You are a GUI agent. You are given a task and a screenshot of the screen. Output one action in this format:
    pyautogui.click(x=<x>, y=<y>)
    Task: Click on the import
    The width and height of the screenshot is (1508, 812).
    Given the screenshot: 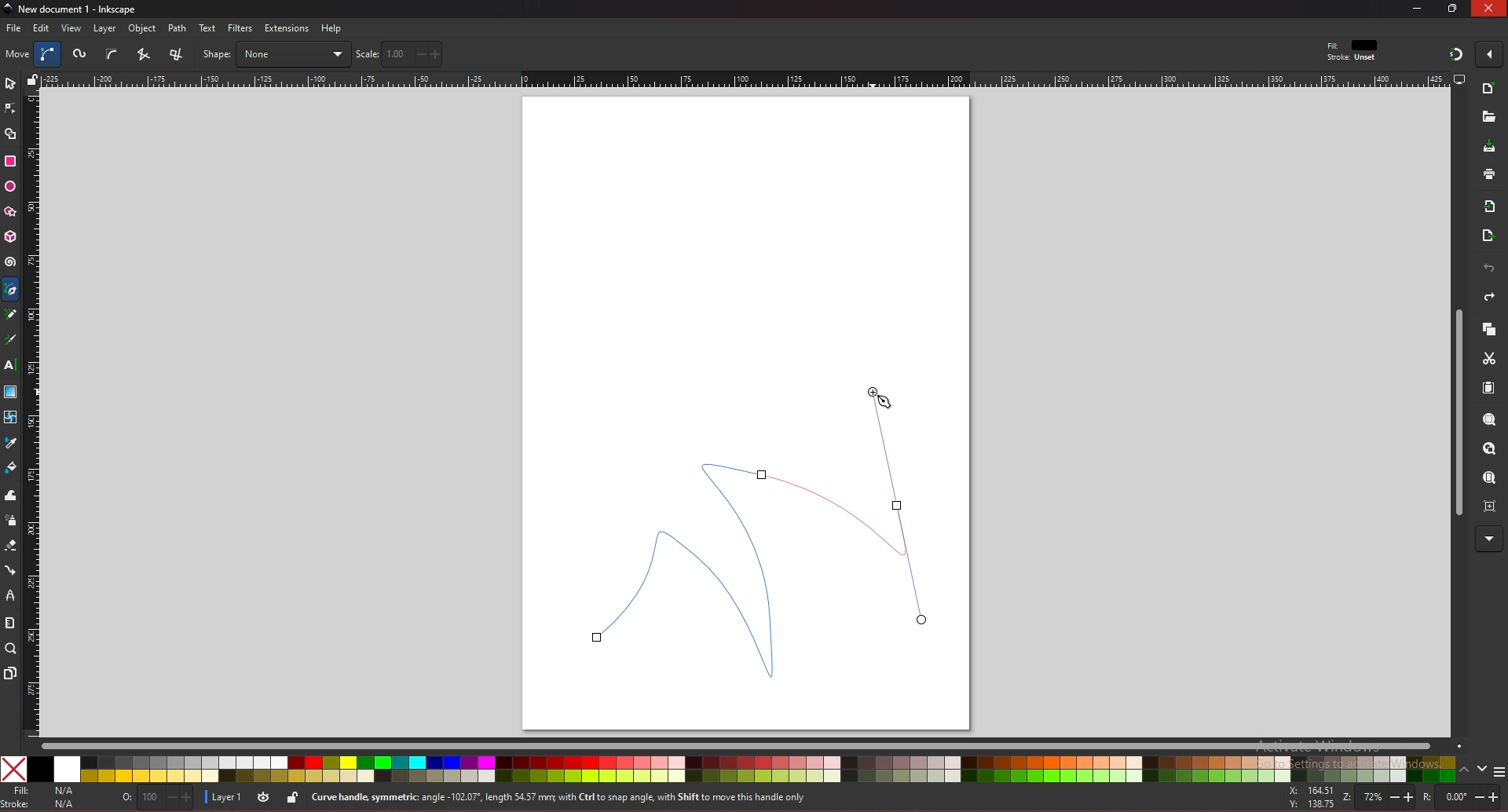 What is the action you would take?
    pyautogui.click(x=1493, y=207)
    